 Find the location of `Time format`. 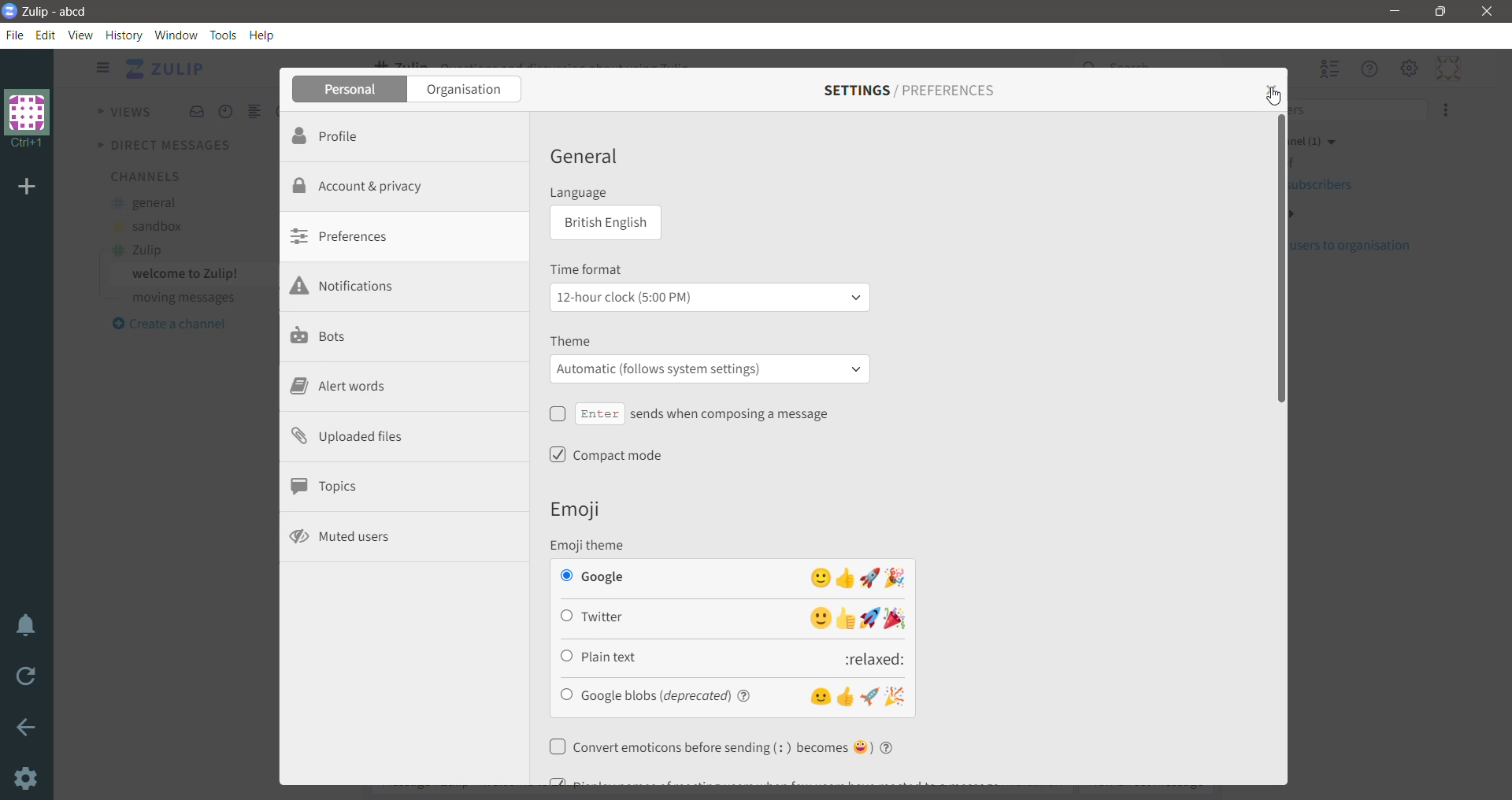

Time format is located at coordinates (601, 269).